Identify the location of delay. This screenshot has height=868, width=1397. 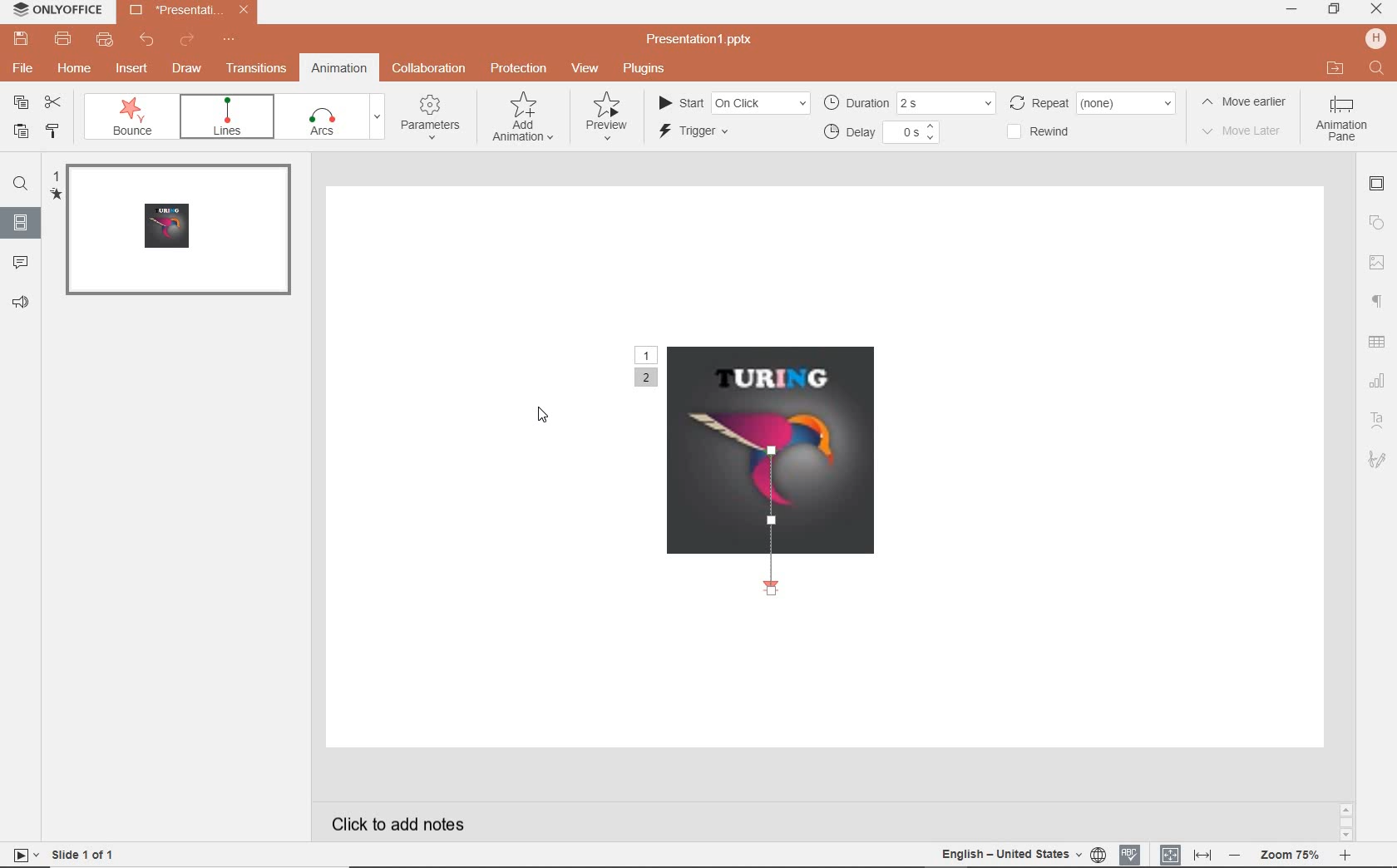
(881, 133).